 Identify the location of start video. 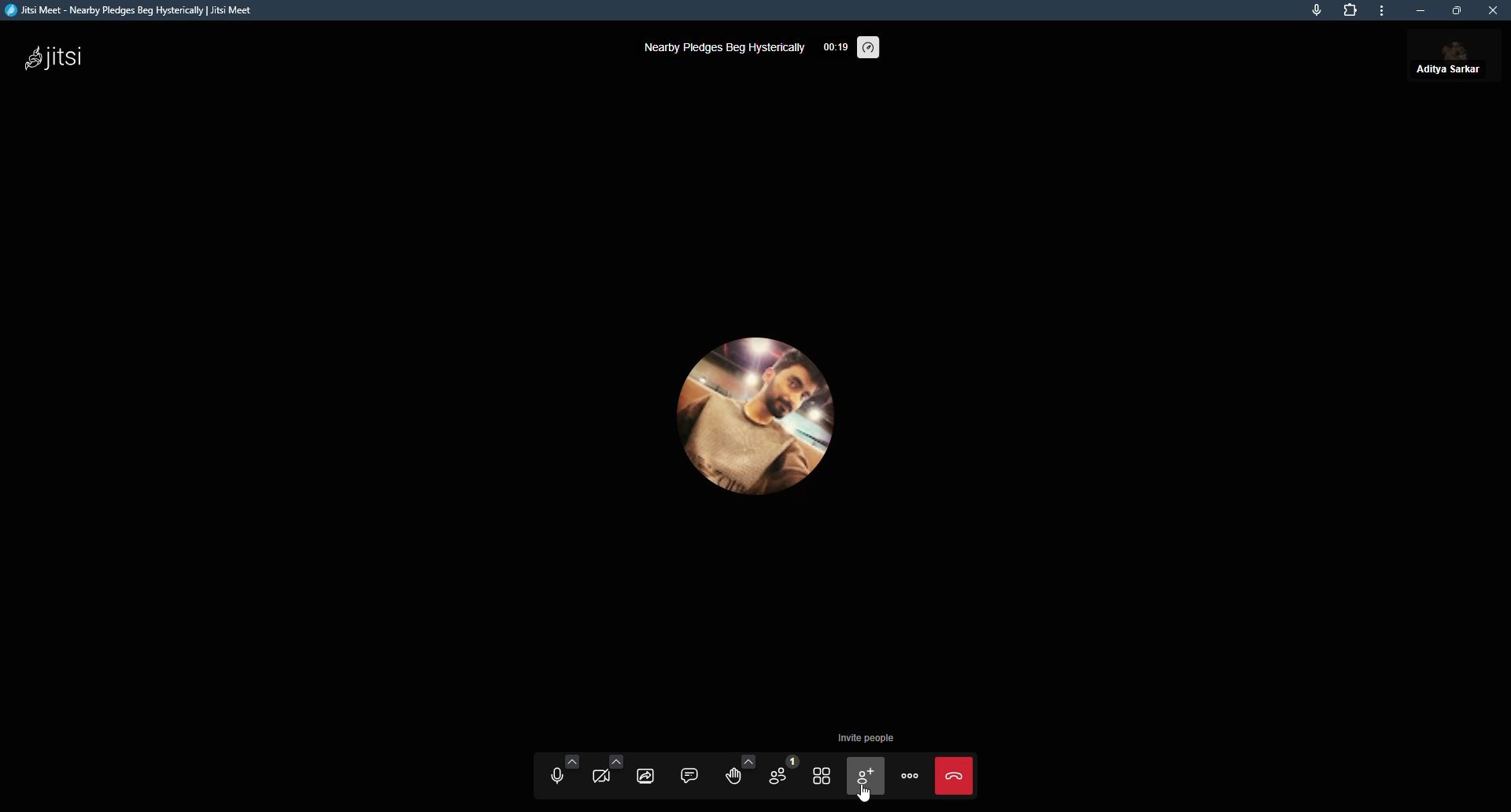
(602, 769).